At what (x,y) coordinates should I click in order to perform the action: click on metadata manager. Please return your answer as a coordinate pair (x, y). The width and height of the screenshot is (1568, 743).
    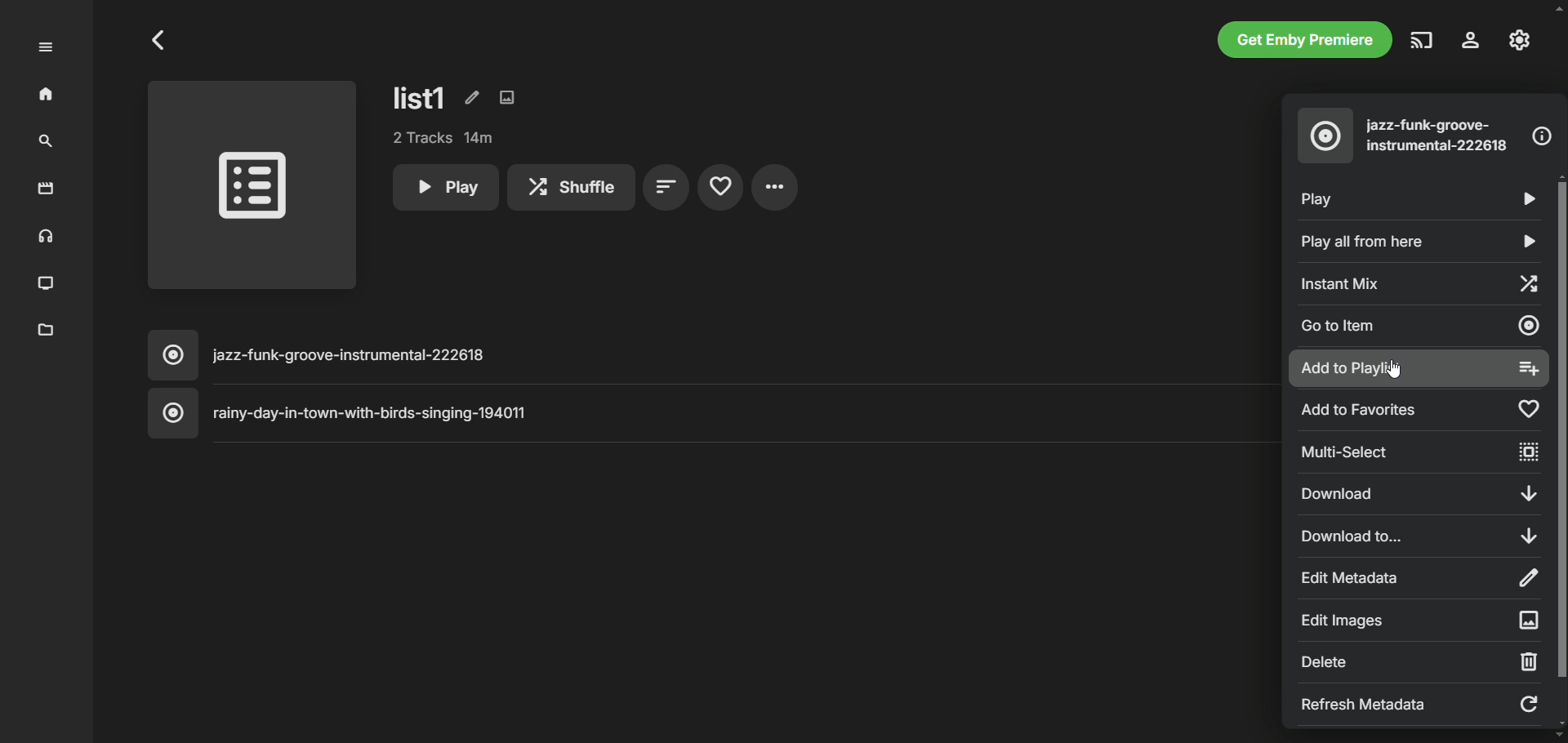
    Looking at the image, I should click on (47, 331).